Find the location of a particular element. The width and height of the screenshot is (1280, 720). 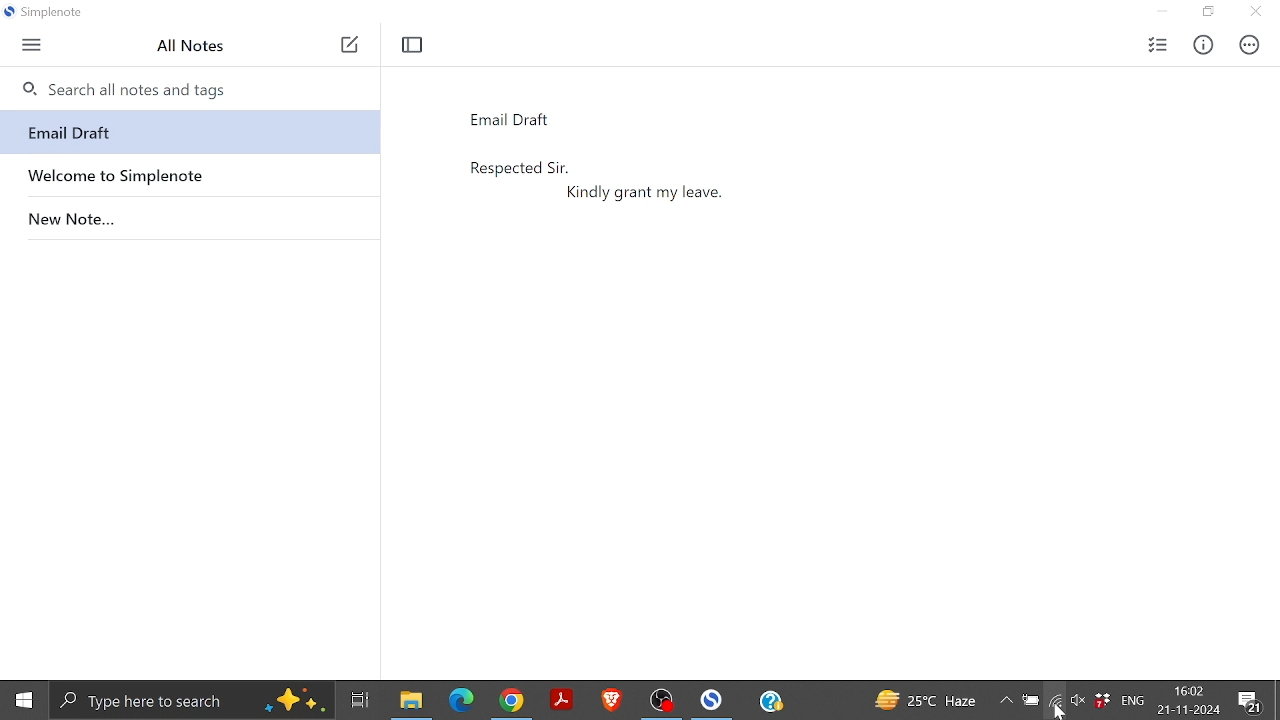

Add note is located at coordinates (349, 46).